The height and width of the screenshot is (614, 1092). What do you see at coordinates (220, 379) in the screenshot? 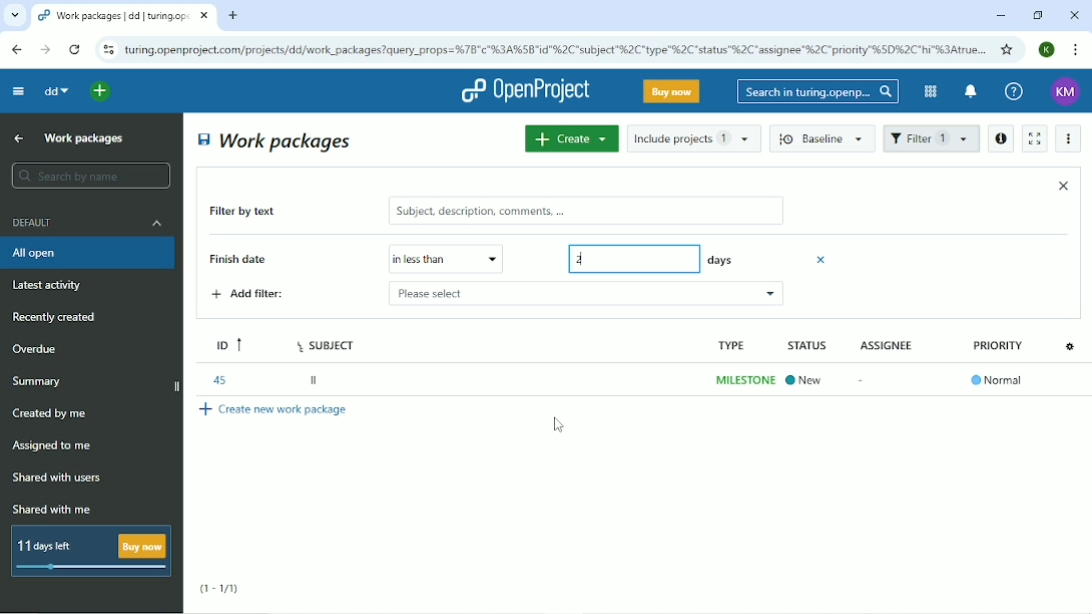
I see `45` at bounding box center [220, 379].